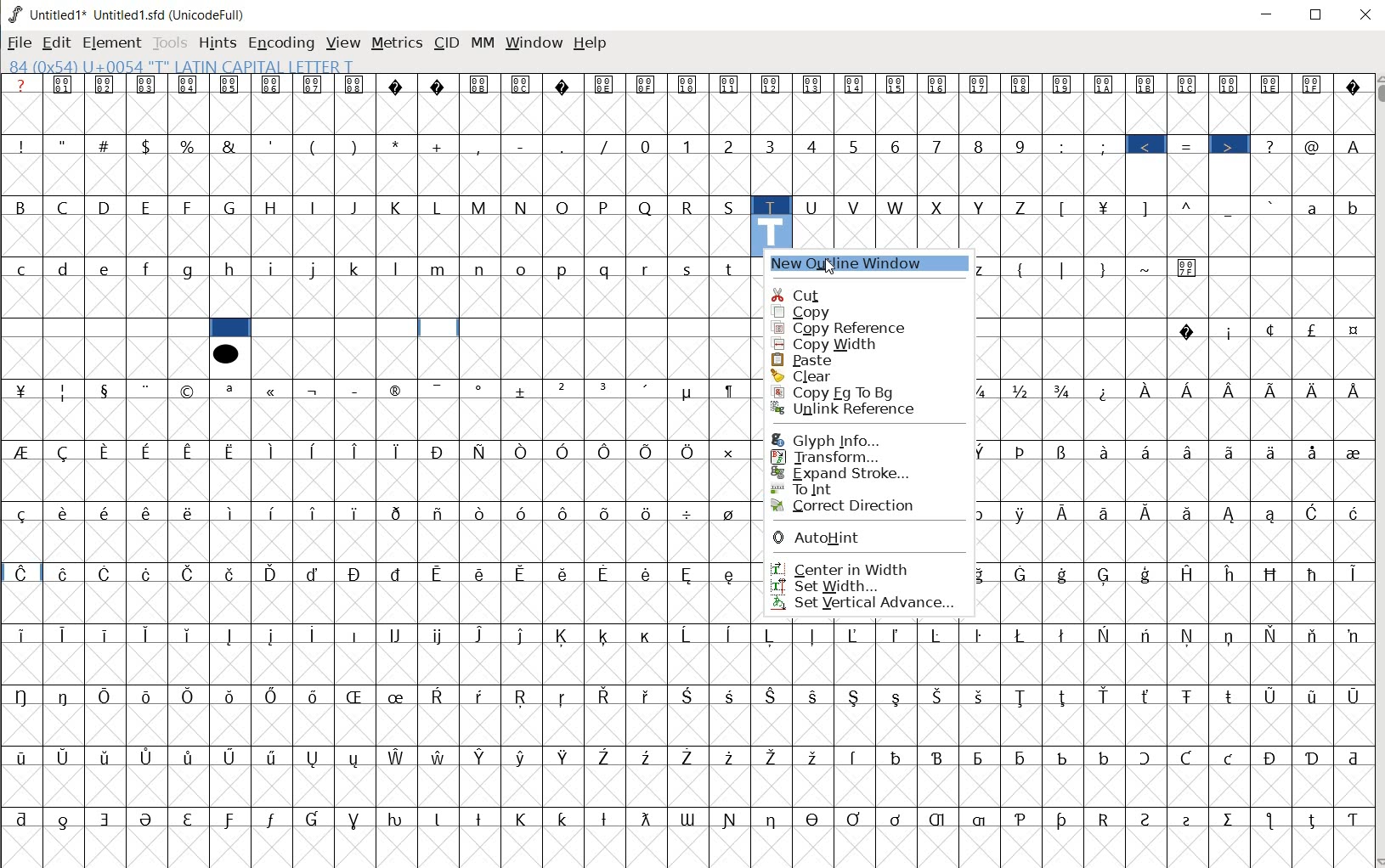 Image resolution: width=1385 pixels, height=868 pixels. I want to click on Symbol, so click(648, 757).